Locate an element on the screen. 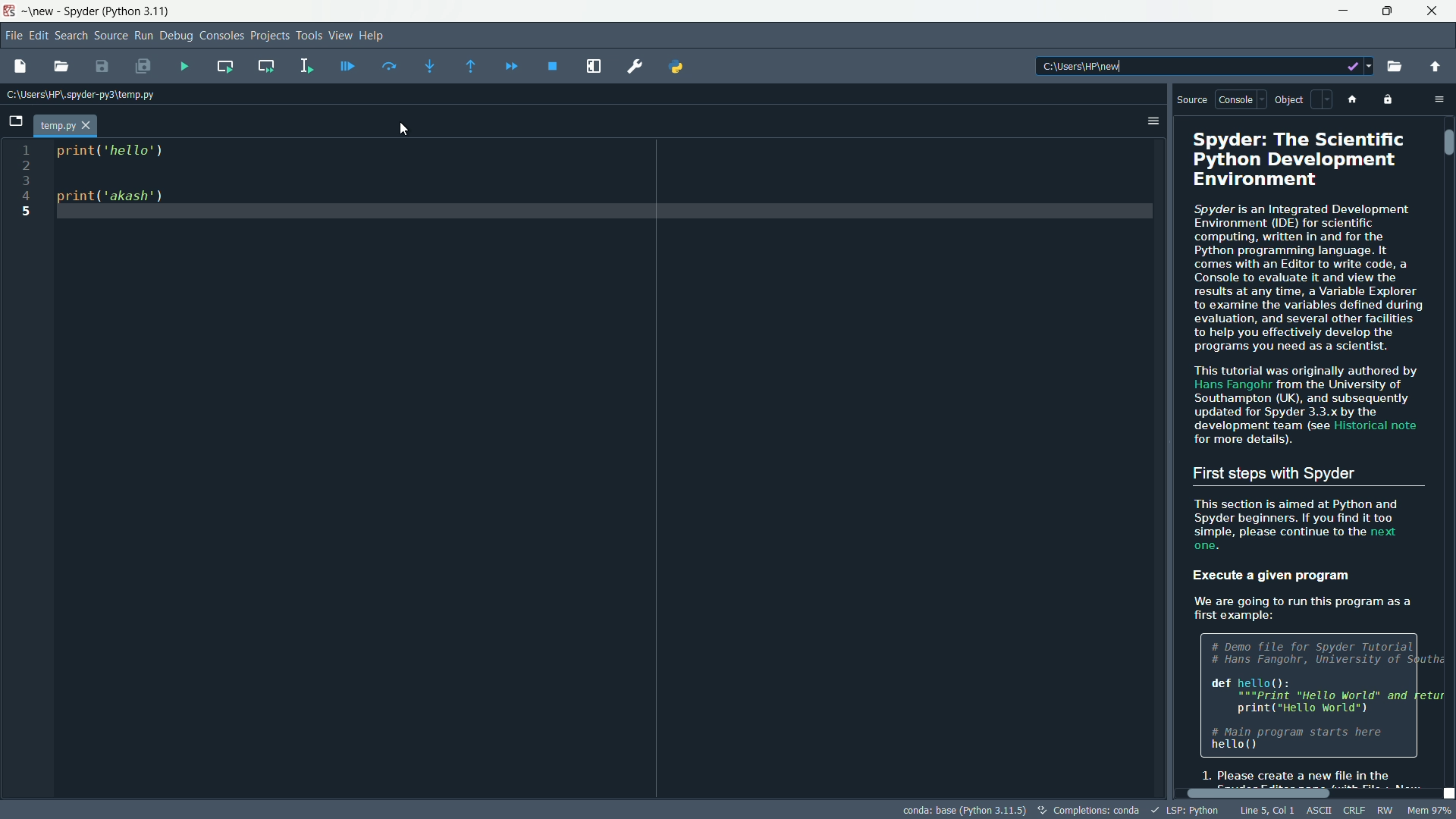  line number is located at coordinates (23, 181).